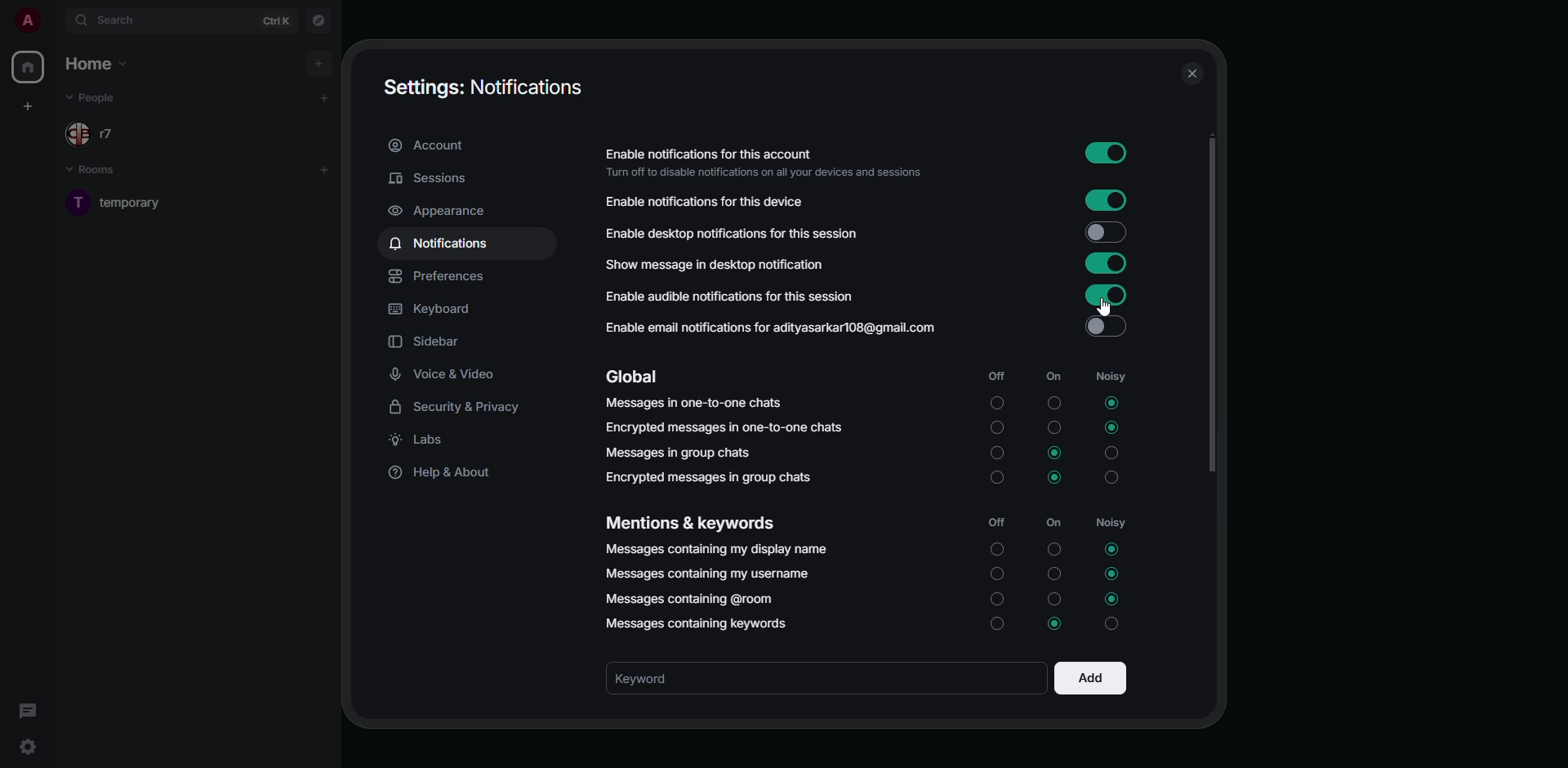 This screenshot has height=768, width=1568. Describe the element at coordinates (679, 452) in the screenshot. I see `messages in group chat` at that location.